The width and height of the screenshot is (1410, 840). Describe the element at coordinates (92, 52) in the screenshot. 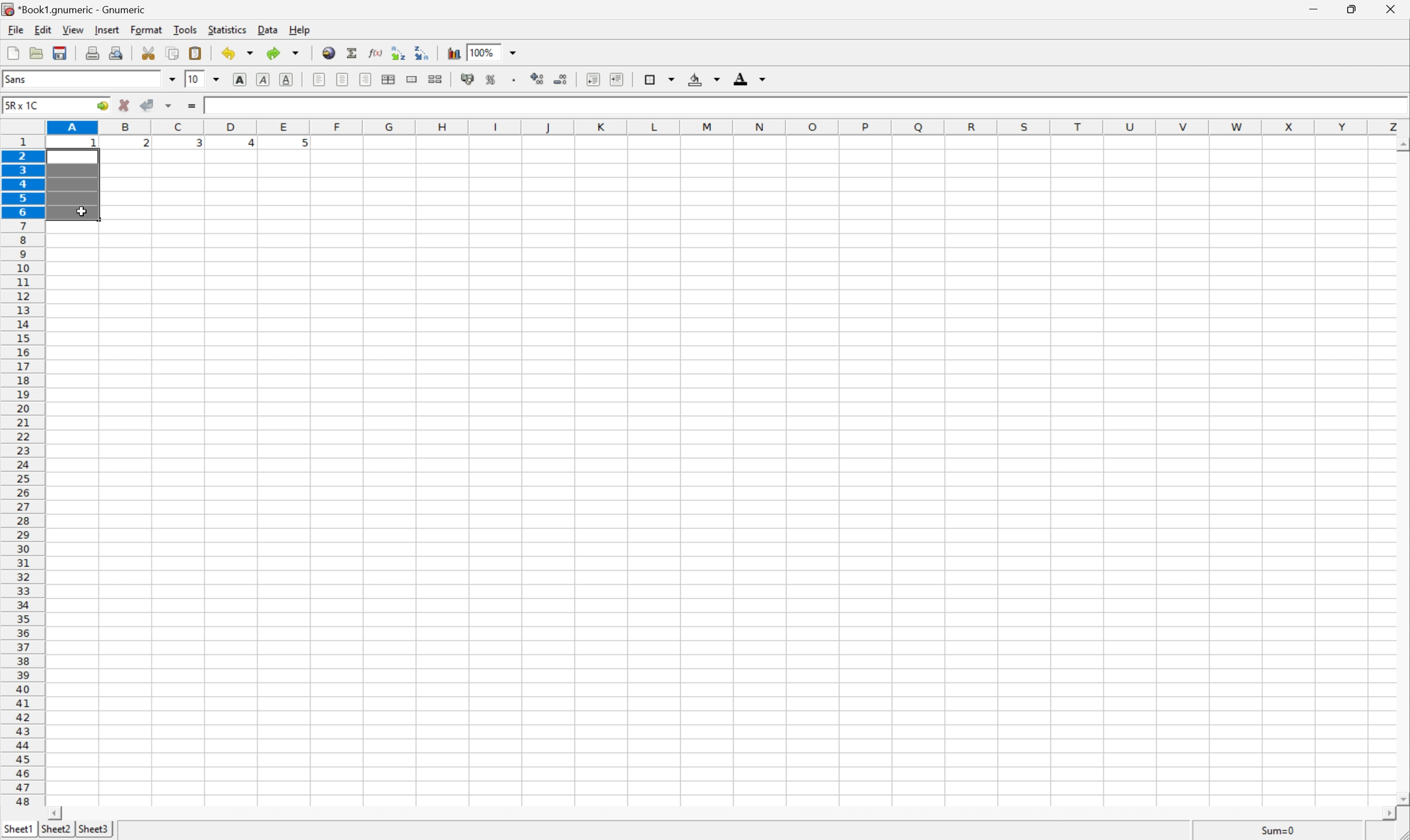

I see `print` at that location.